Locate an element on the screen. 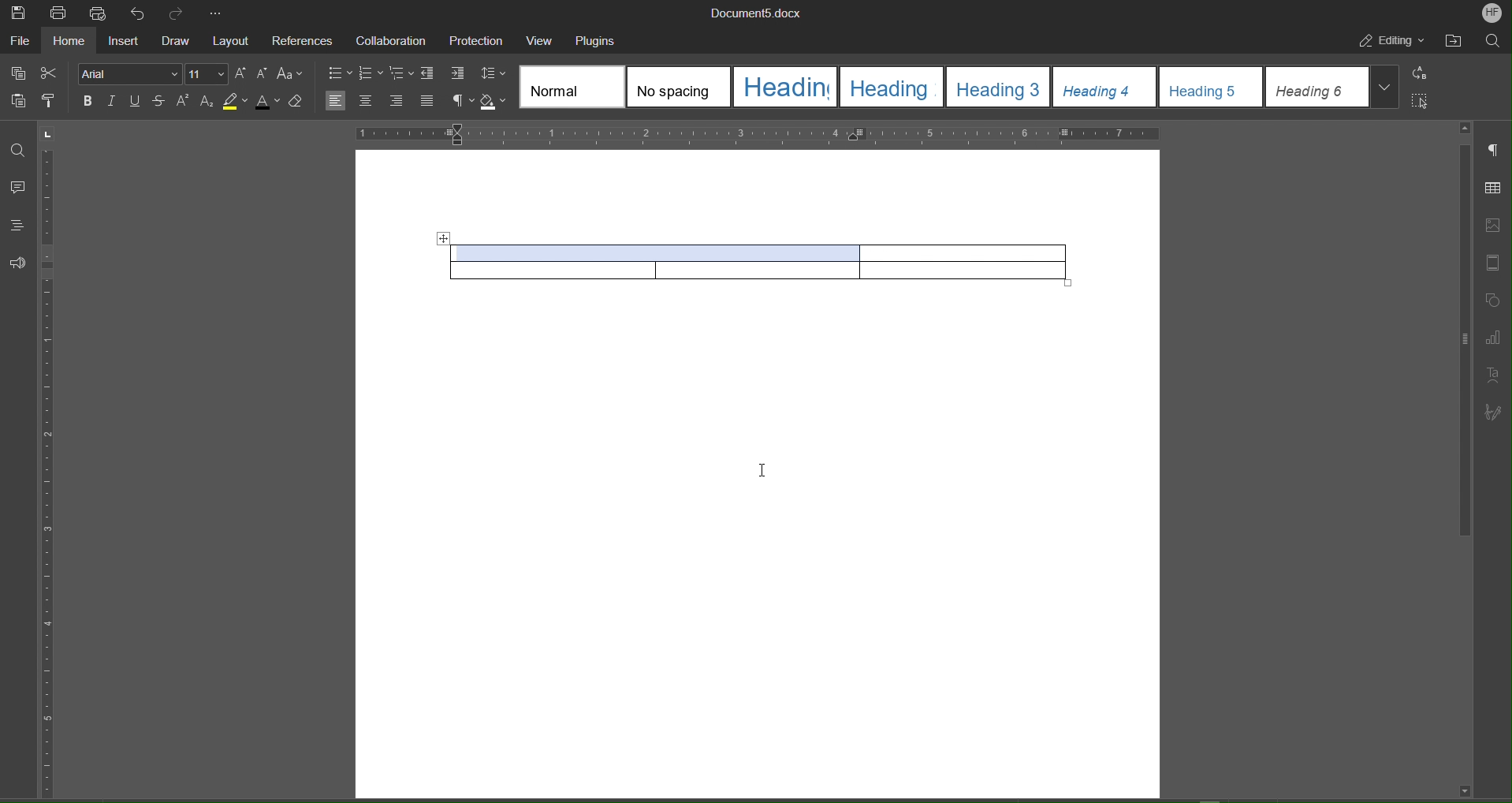 Image resolution: width=1512 pixels, height=803 pixels. heading 2 is located at coordinates (894, 88).